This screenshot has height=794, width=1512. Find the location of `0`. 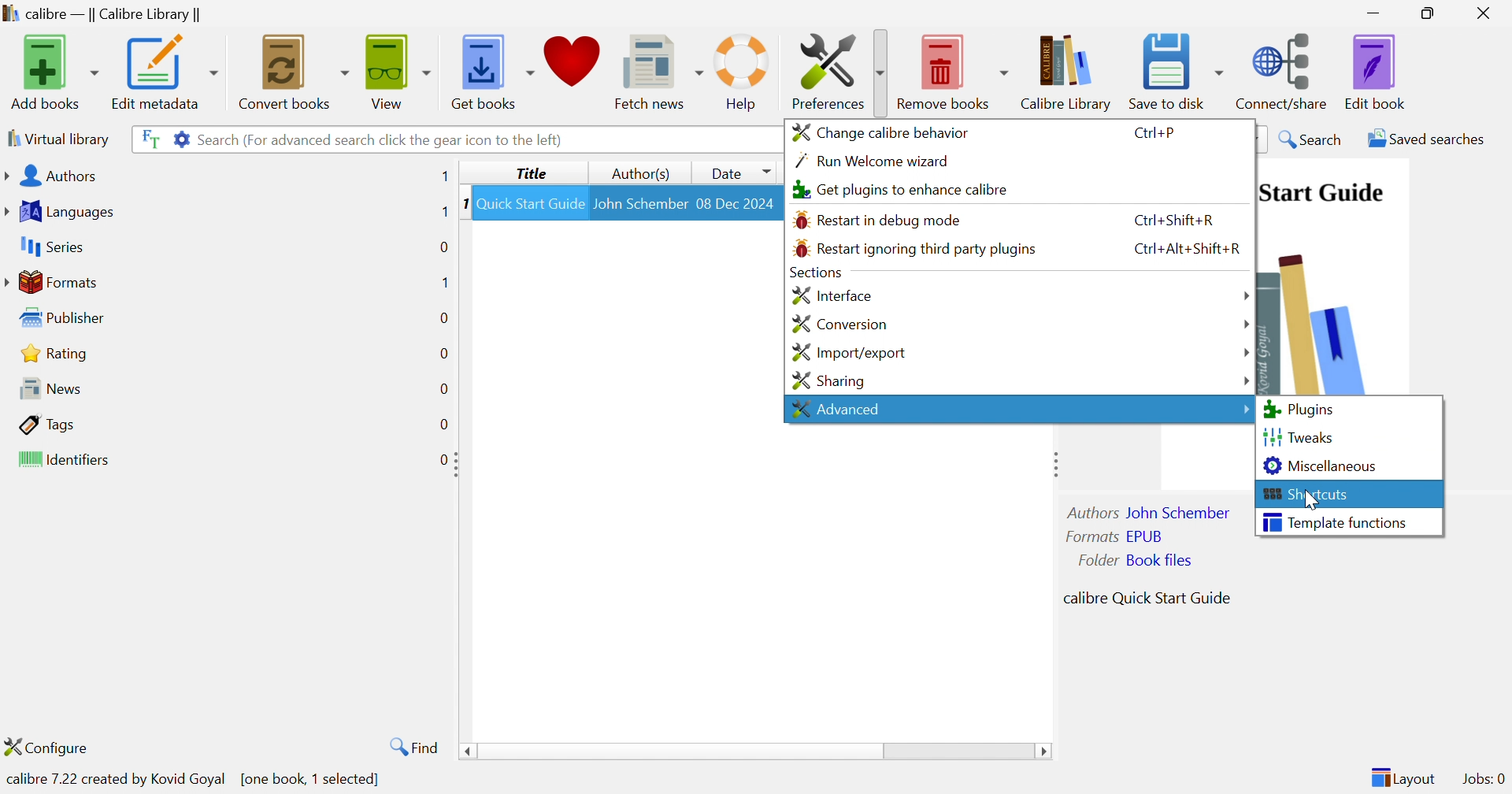

0 is located at coordinates (443, 458).